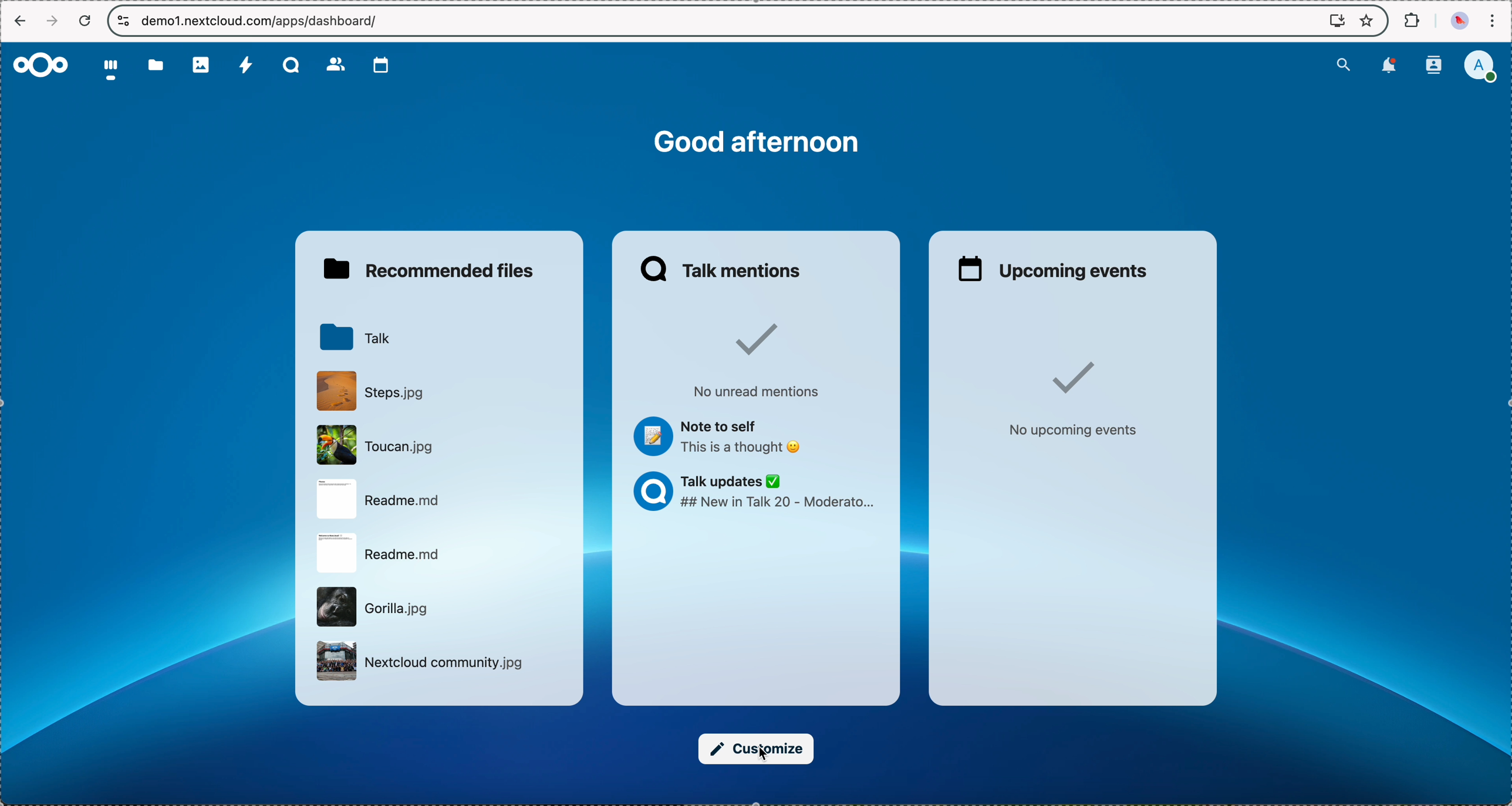 Image resolution: width=1512 pixels, height=806 pixels. What do you see at coordinates (1389, 66) in the screenshot?
I see `notifications` at bounding box center [1389, 66].